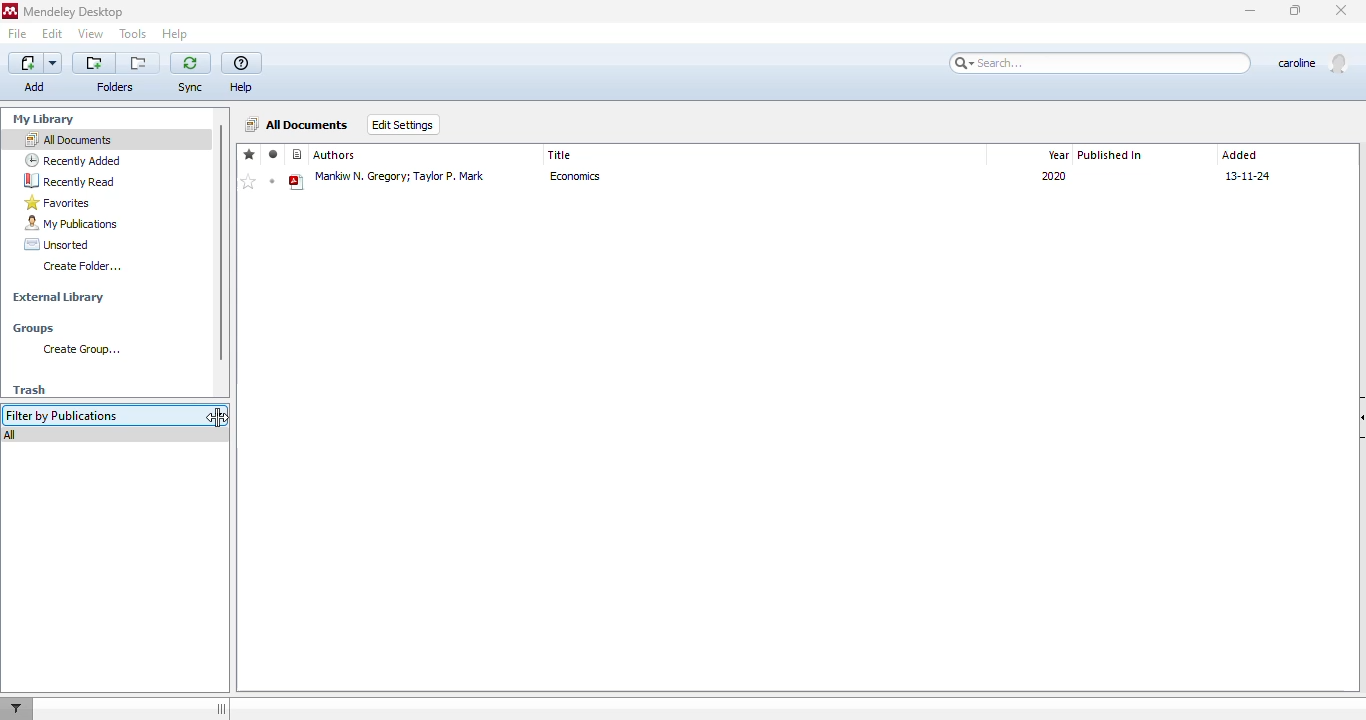  Describe the element at coordinates (241, 87) in the screenshot. I see `help` at that location.